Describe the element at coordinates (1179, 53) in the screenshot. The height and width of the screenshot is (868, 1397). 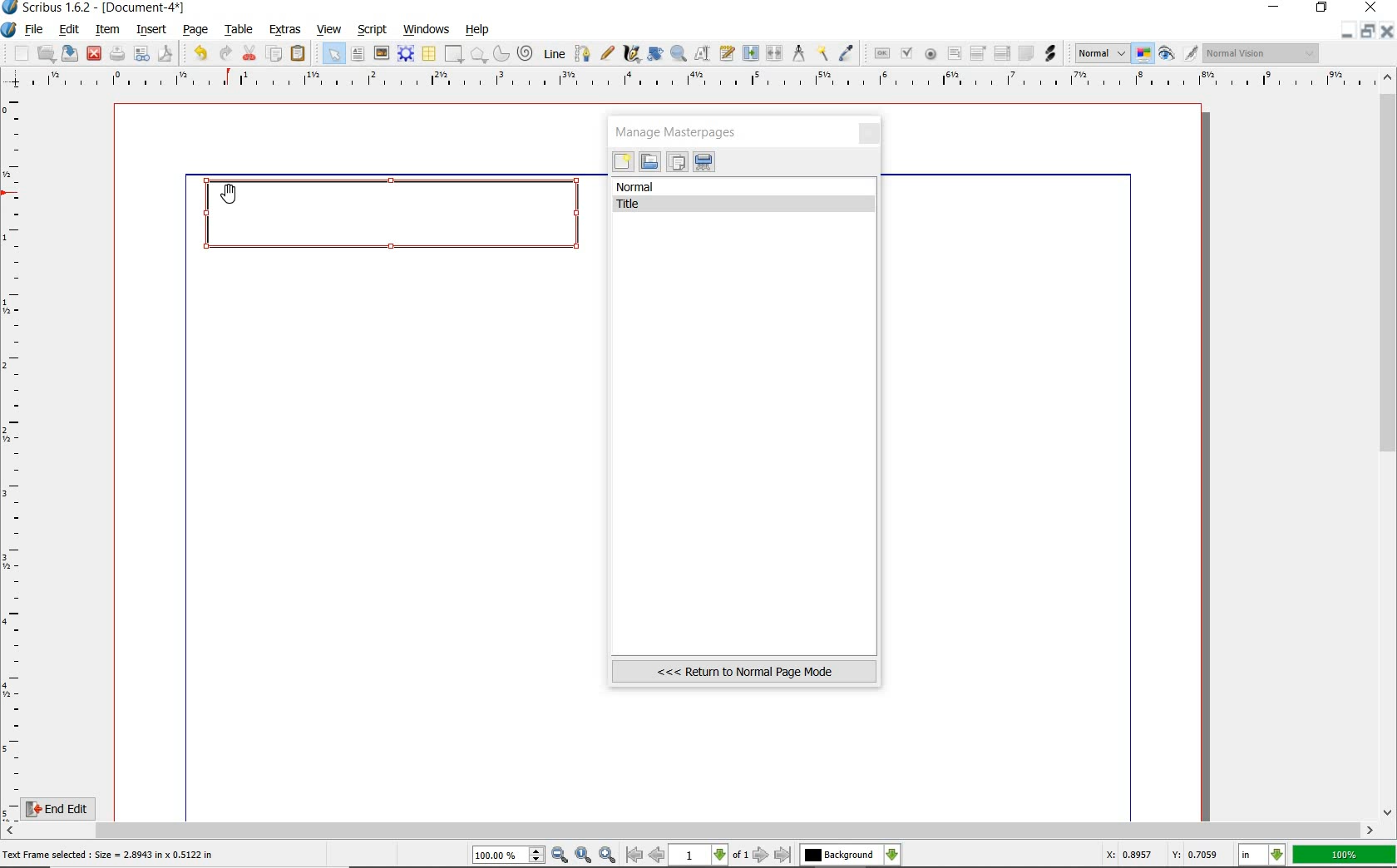
I see `preview mode` at that location.